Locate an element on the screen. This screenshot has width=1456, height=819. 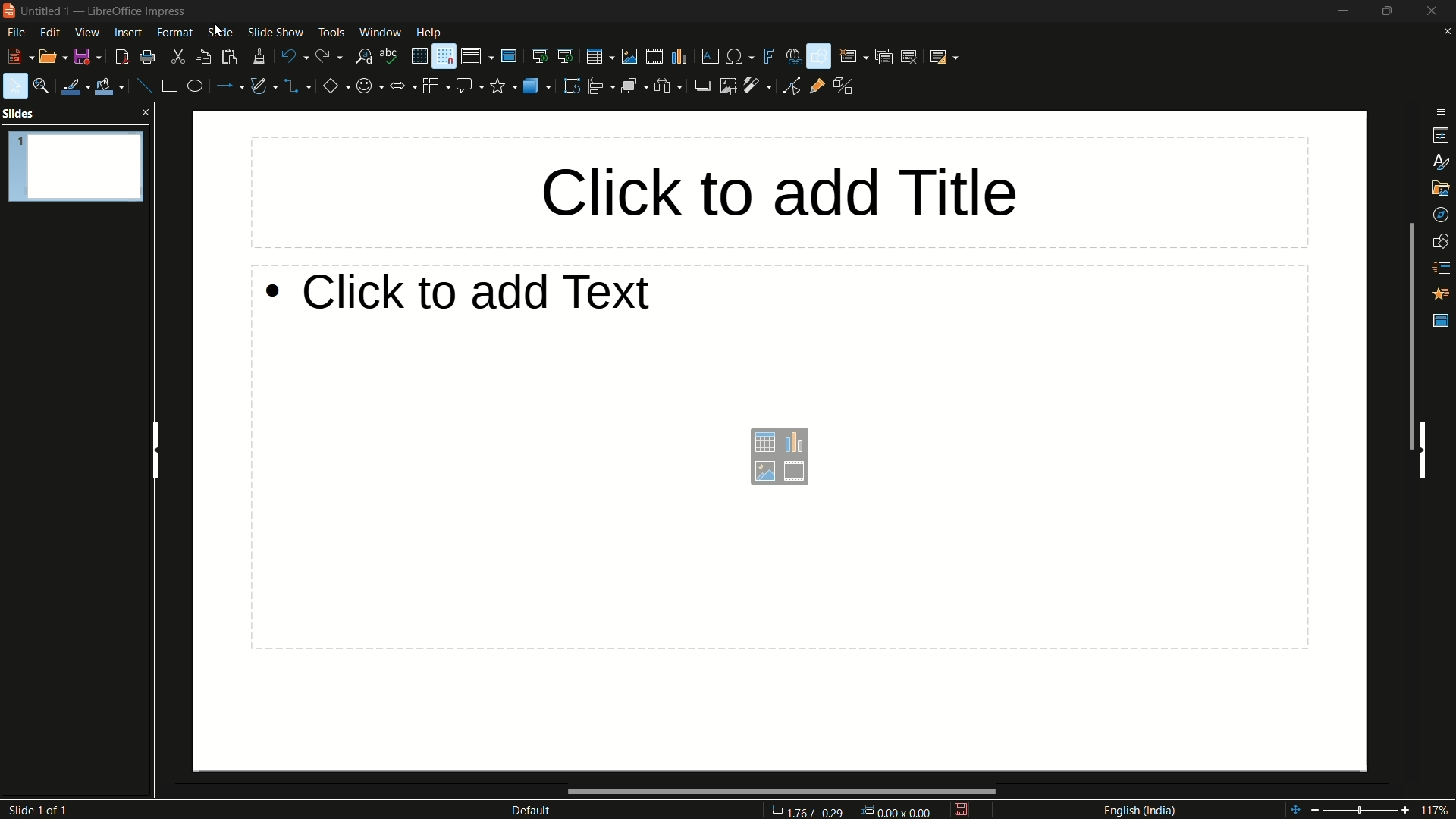
snap to grid is located at coordinates (444, 57).